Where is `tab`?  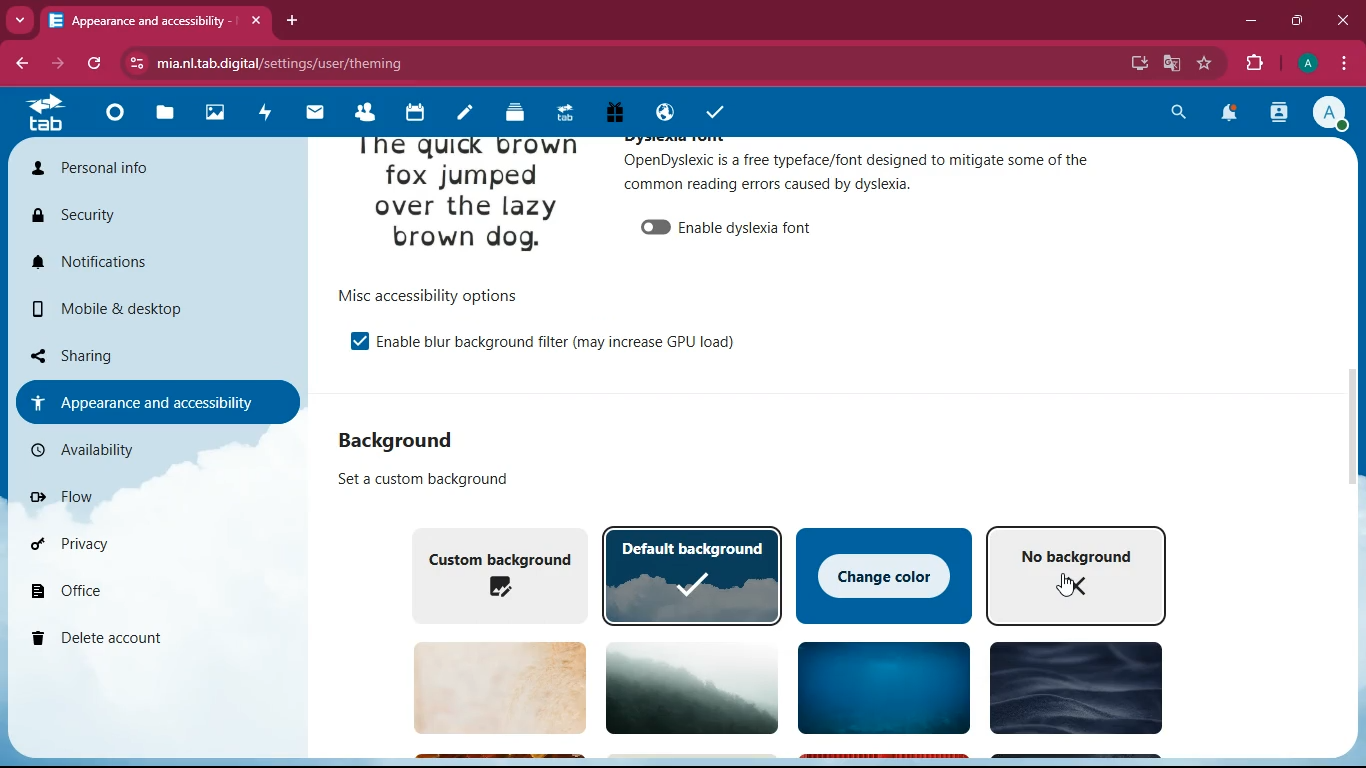
tab is located at coordinates (561, 113).